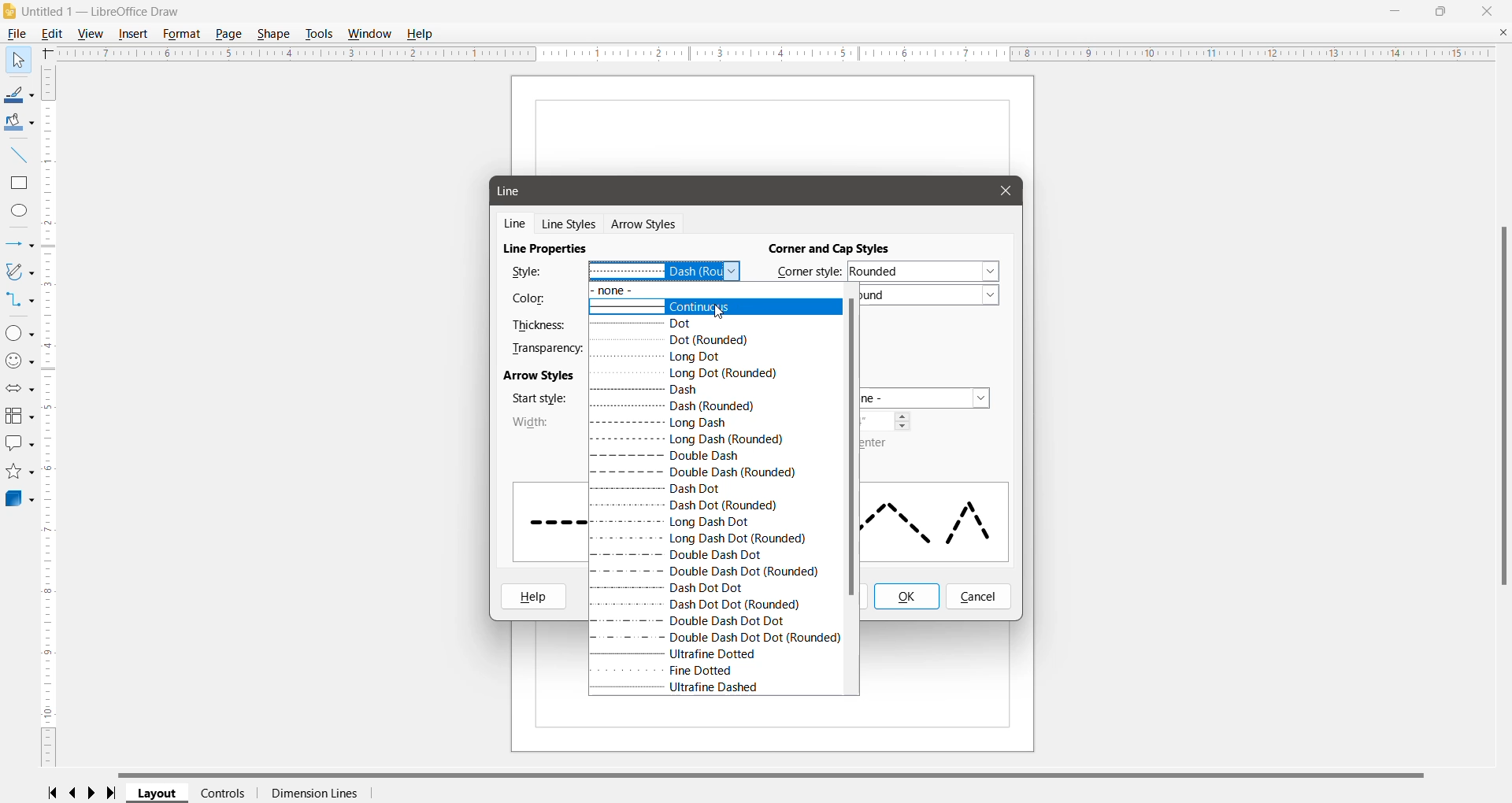  I want to click on Insert, so click(135, 33).